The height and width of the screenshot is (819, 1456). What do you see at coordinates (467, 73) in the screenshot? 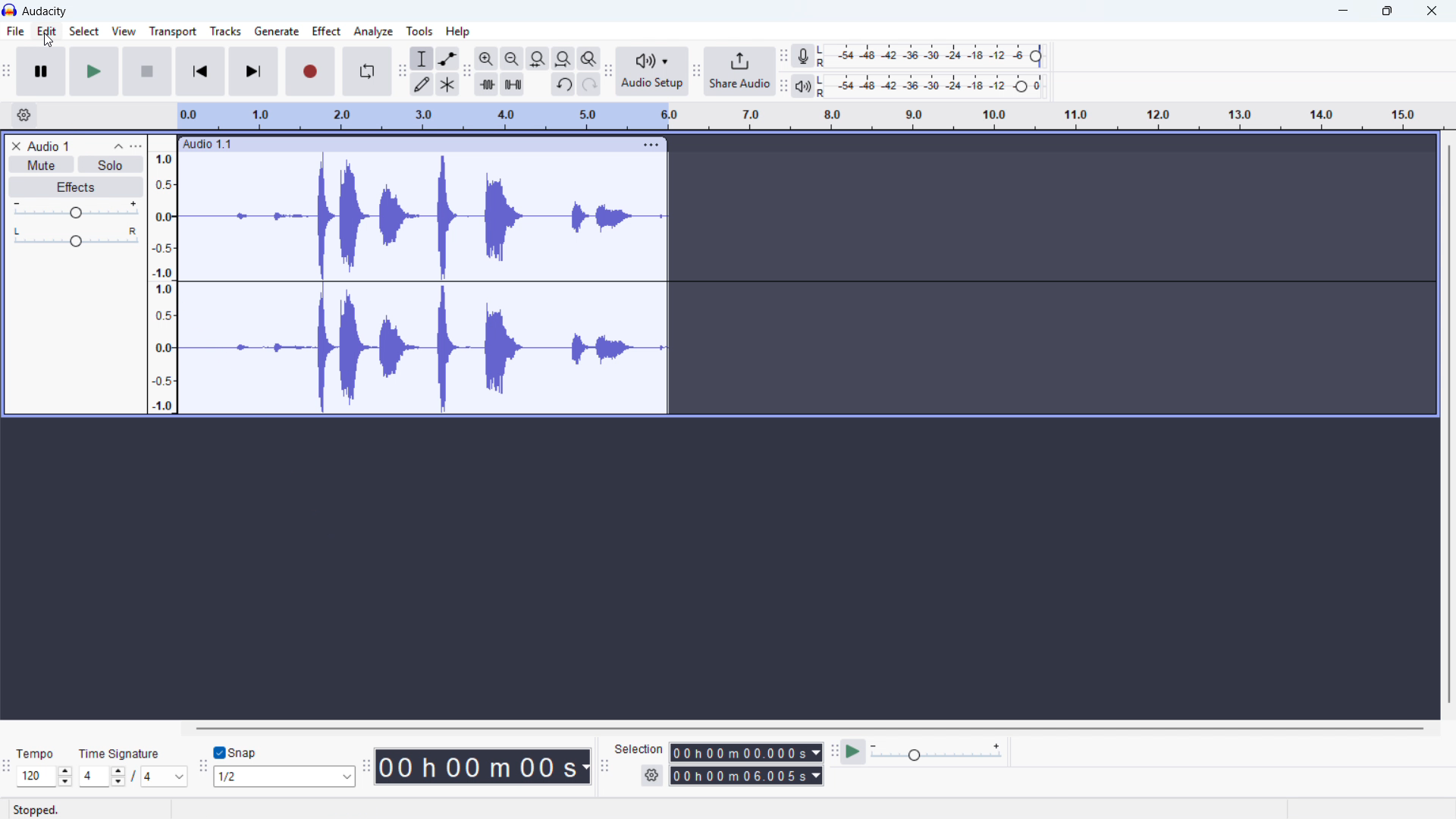
I see `edit toolbar` at bounding box center [467, 73].